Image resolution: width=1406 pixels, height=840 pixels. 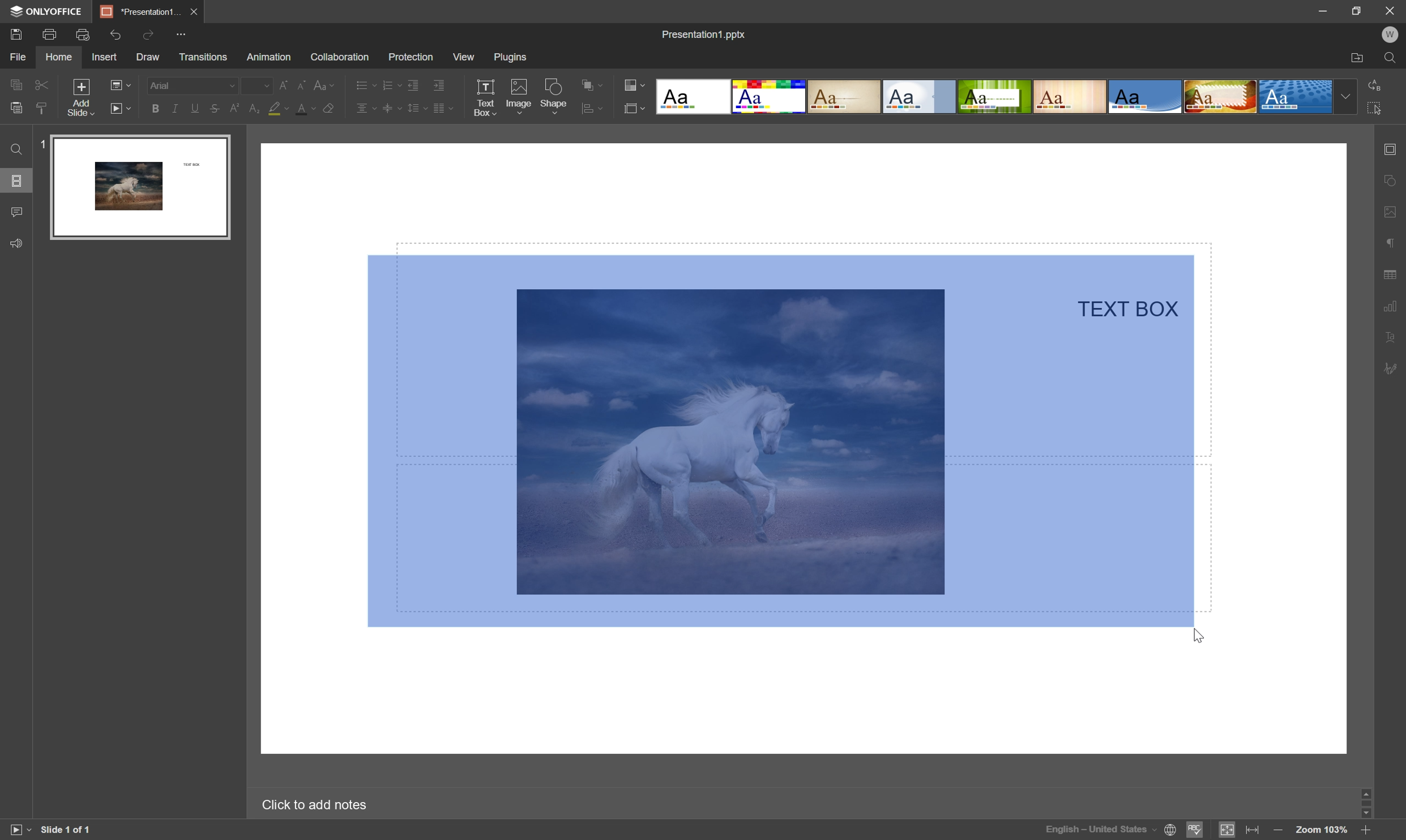 I want to click on spell checking, so click(x=1196, y=830).